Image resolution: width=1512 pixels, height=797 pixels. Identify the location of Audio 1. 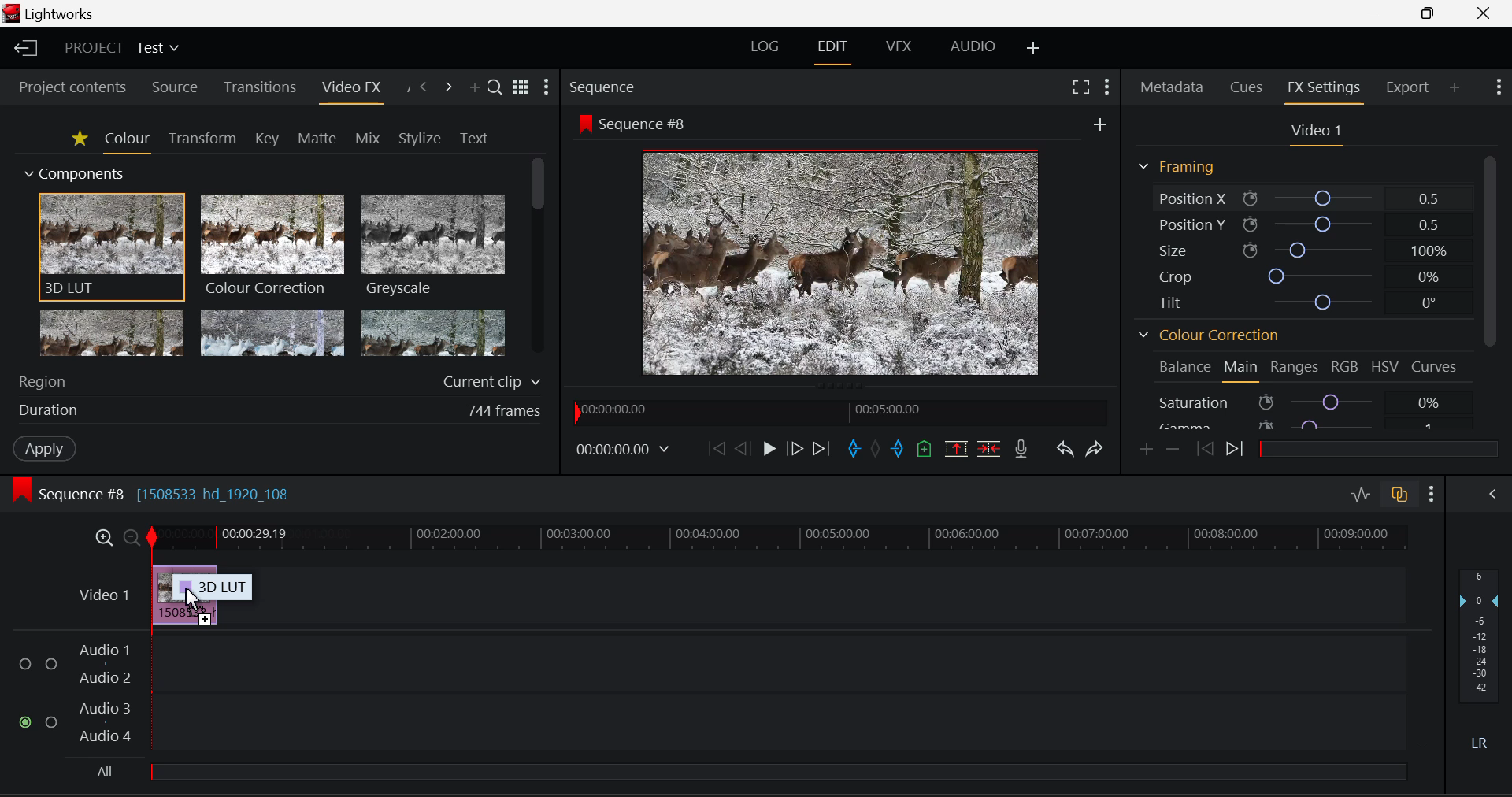
(108, 649).